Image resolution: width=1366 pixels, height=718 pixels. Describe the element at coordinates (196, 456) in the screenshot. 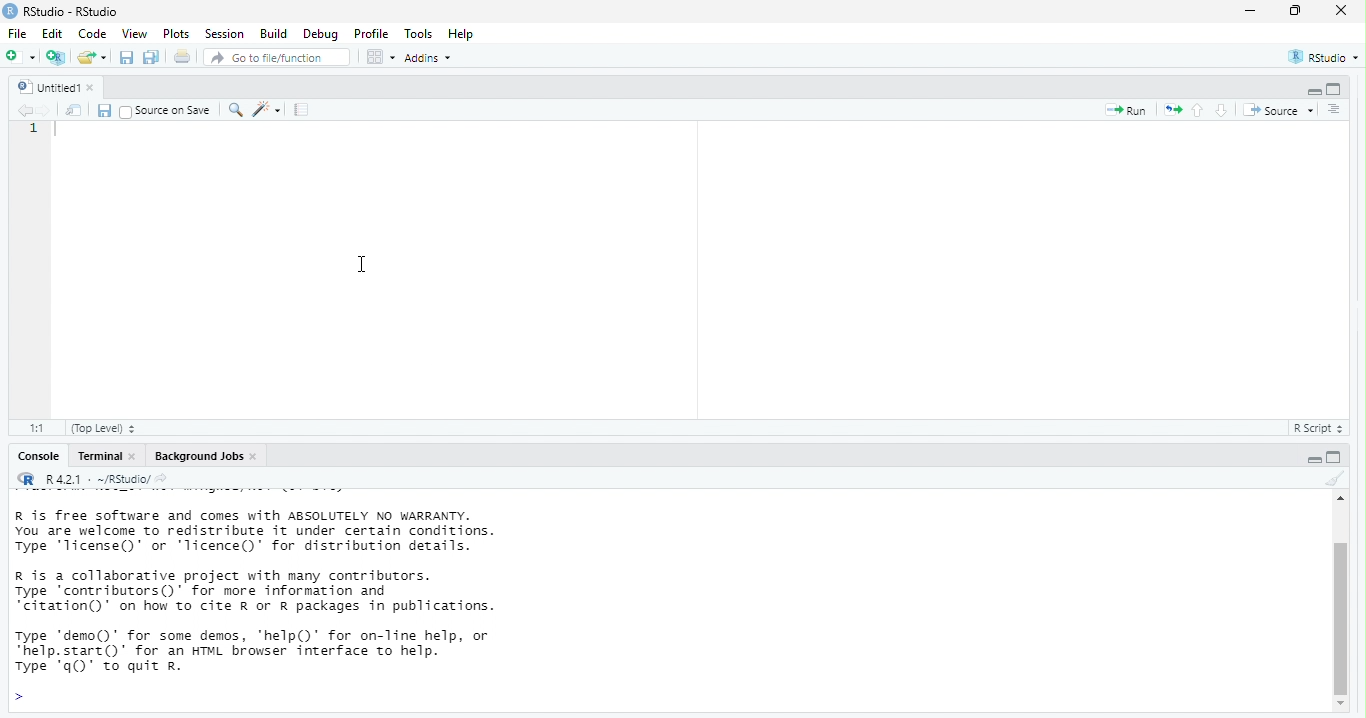

I see `Background jobs` at that location.